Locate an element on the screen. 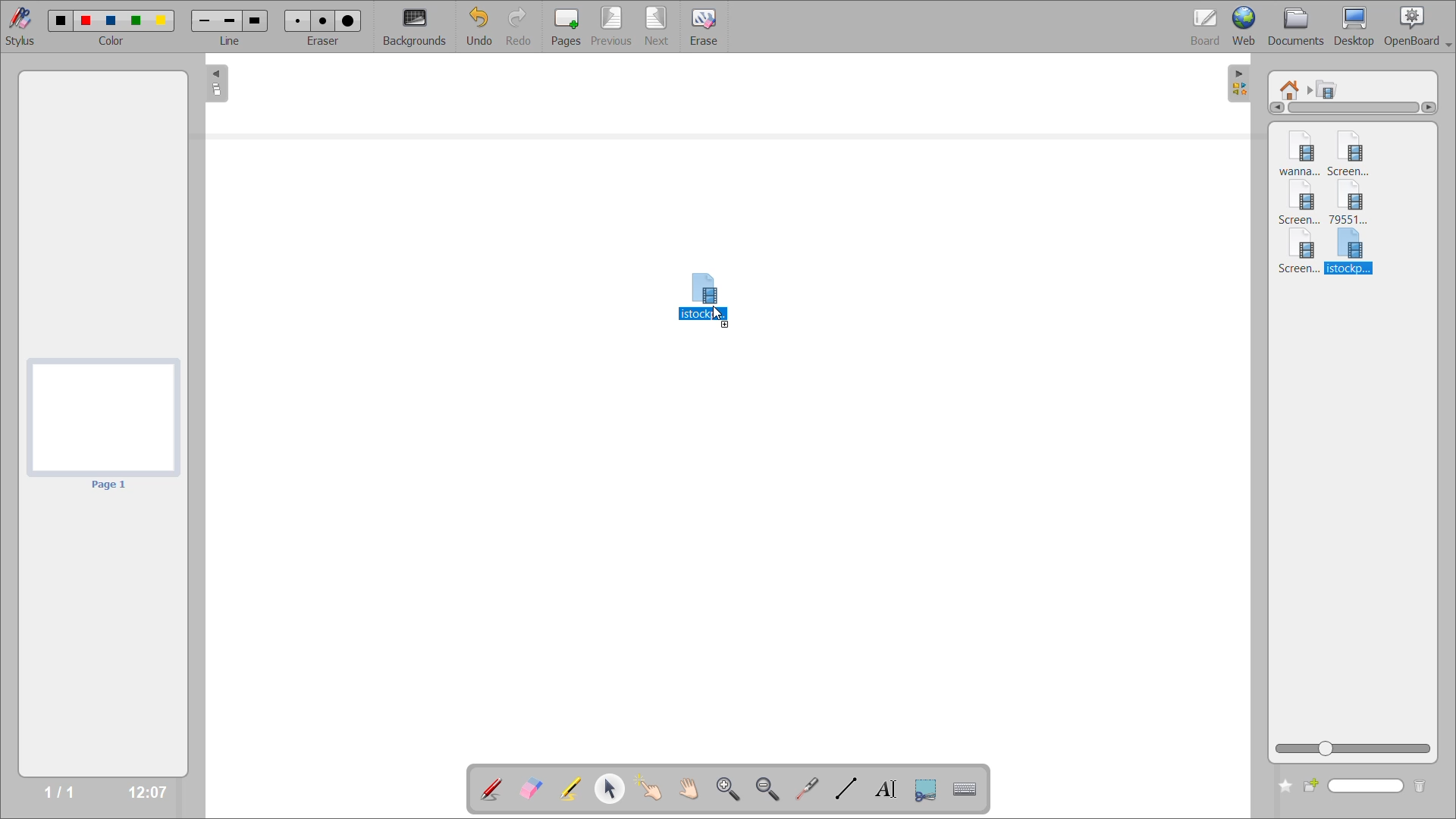  collapse is located at coordinates (215, 86).